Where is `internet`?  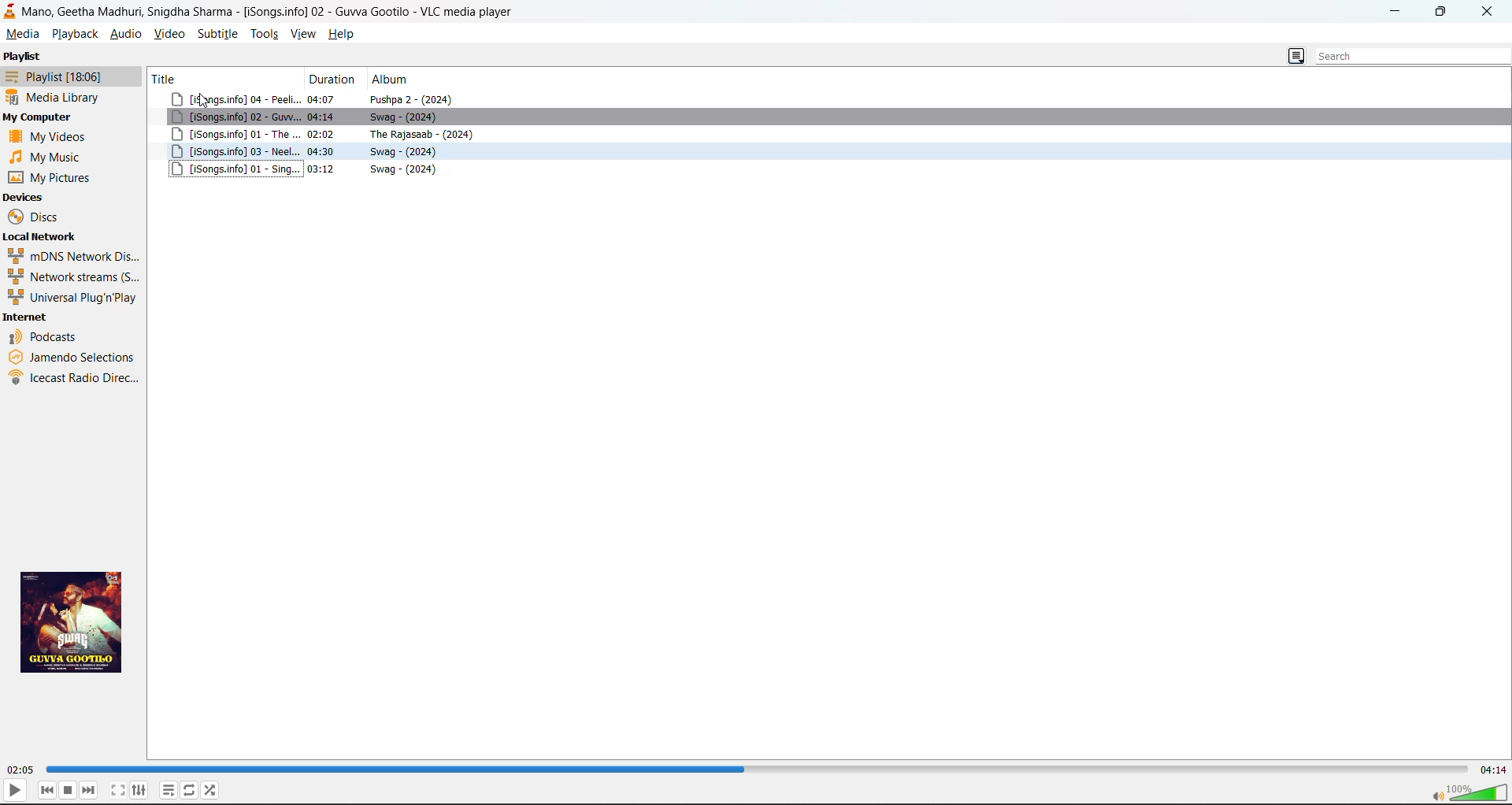
internet is located at coordinates (27, 318).